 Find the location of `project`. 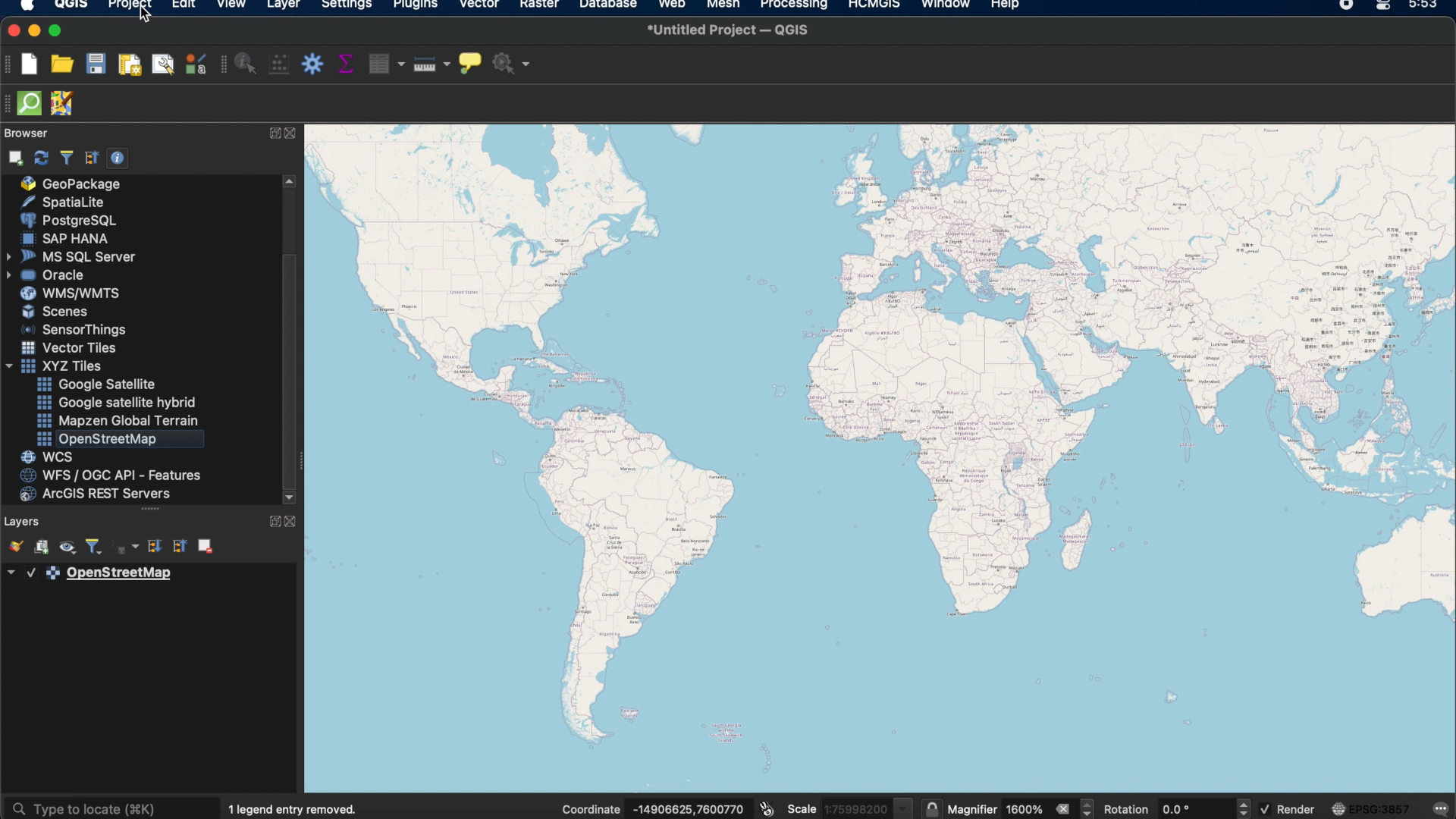

project is located at coordinates (129, 6).